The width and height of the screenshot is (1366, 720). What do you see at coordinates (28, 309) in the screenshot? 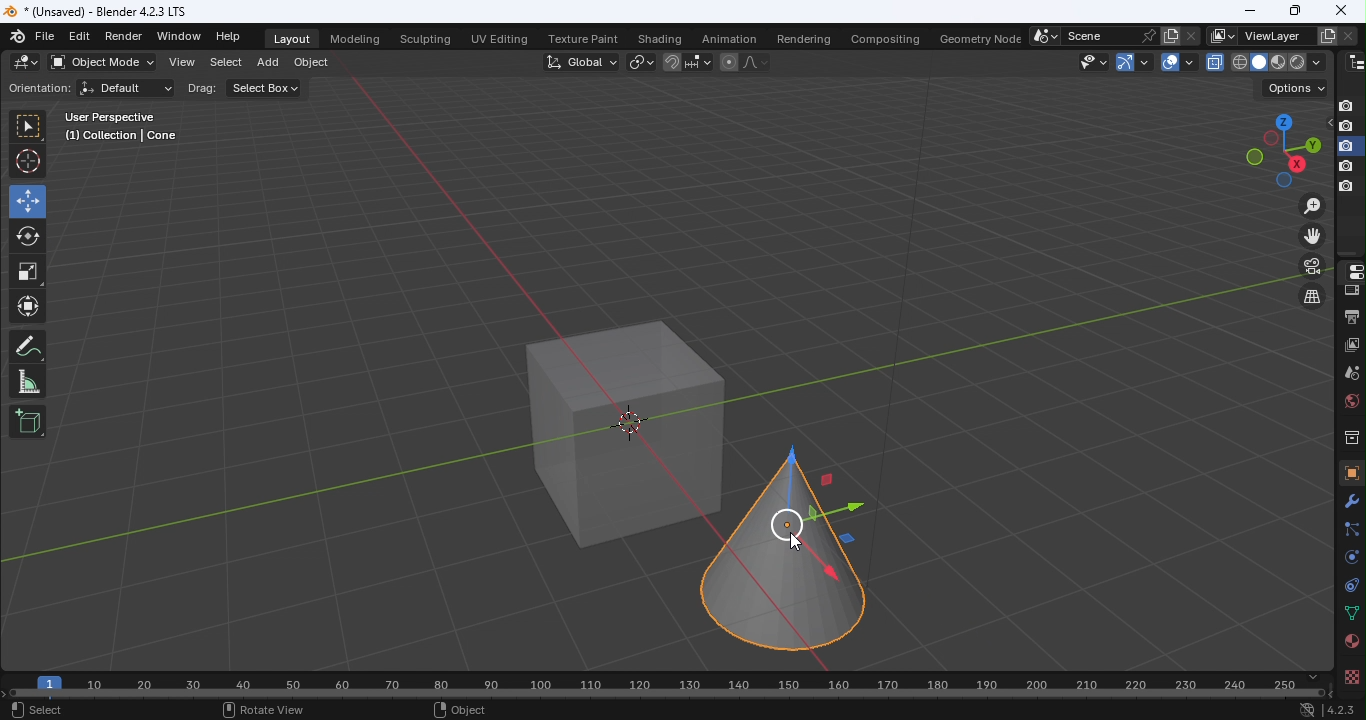
I see `Transform` at bounding box center [28, 309].